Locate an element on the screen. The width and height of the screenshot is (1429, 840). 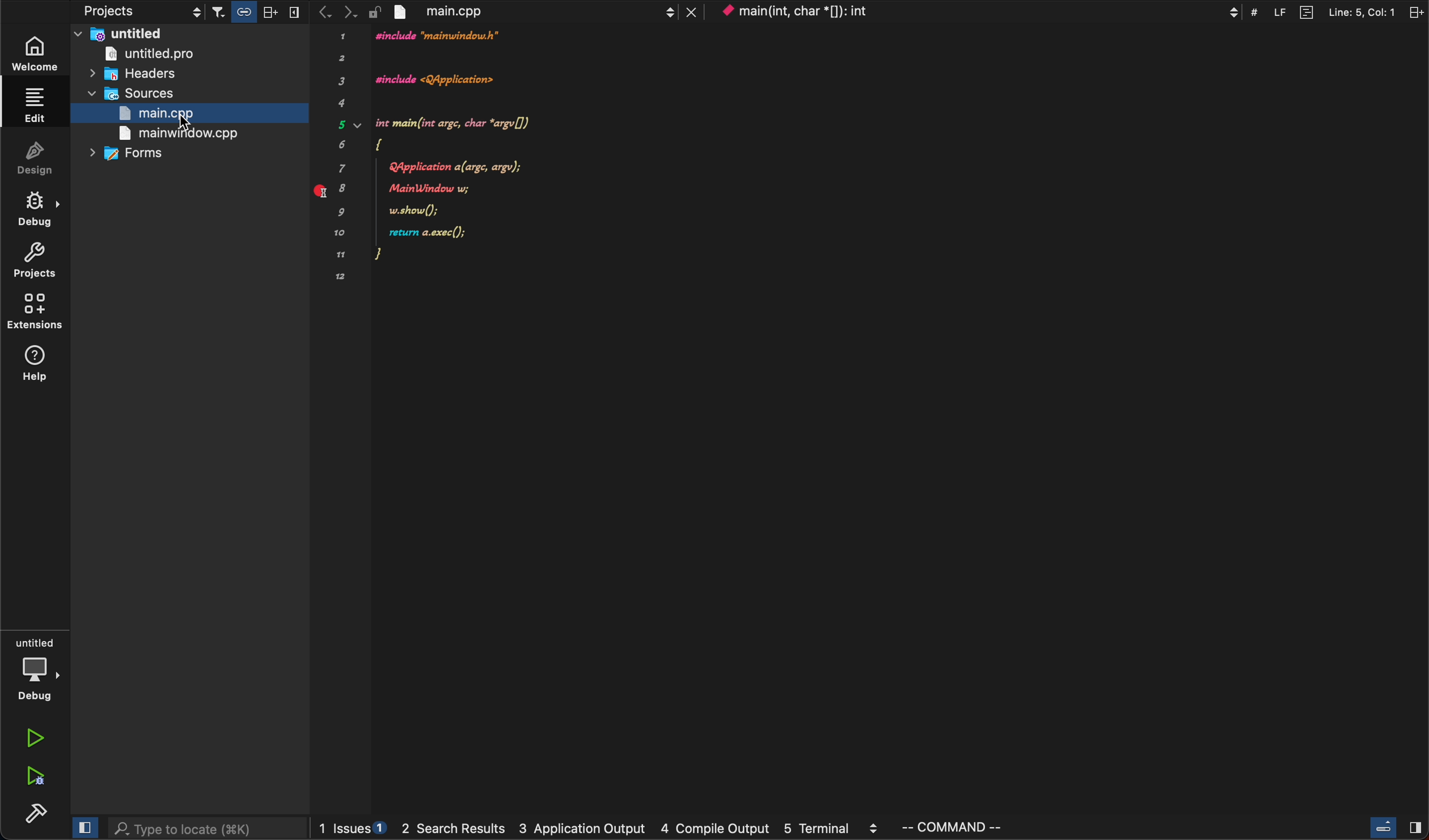
design is located at coordinates (36, 158).